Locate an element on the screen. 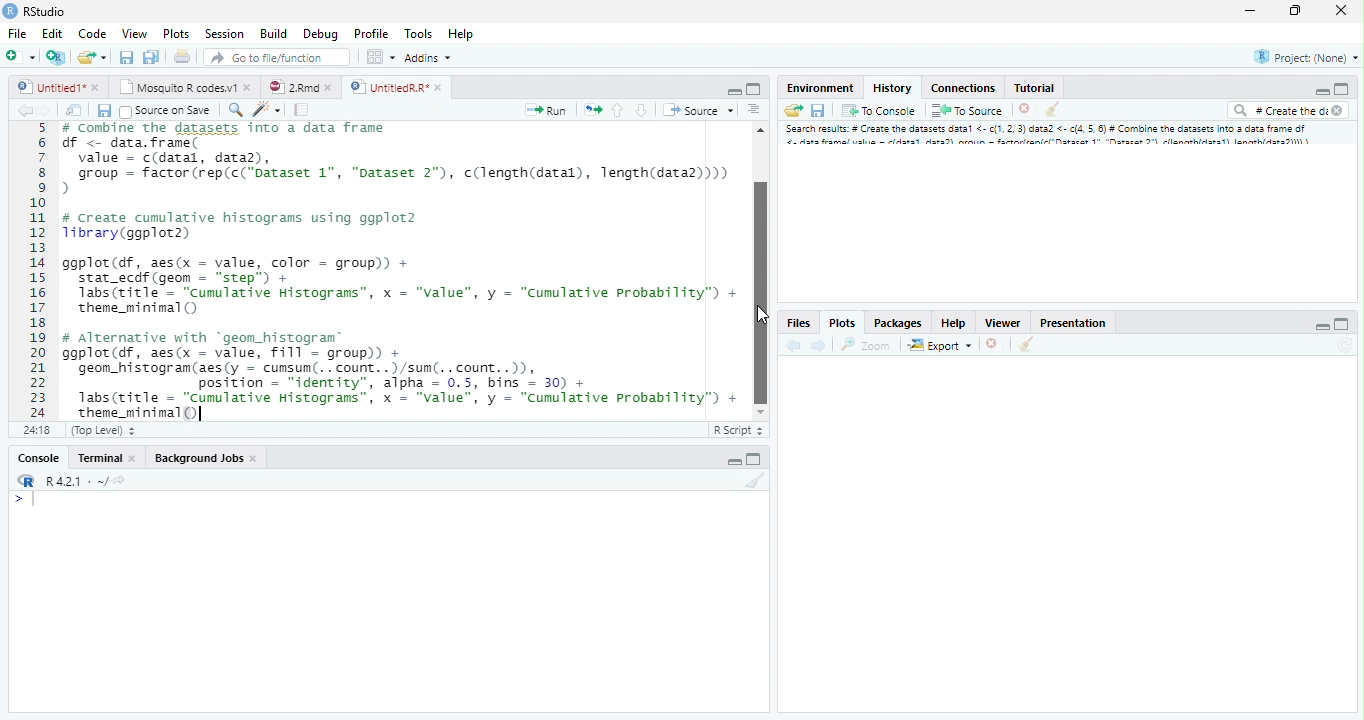  Go to the previous section is located at coordinates (619, 113).